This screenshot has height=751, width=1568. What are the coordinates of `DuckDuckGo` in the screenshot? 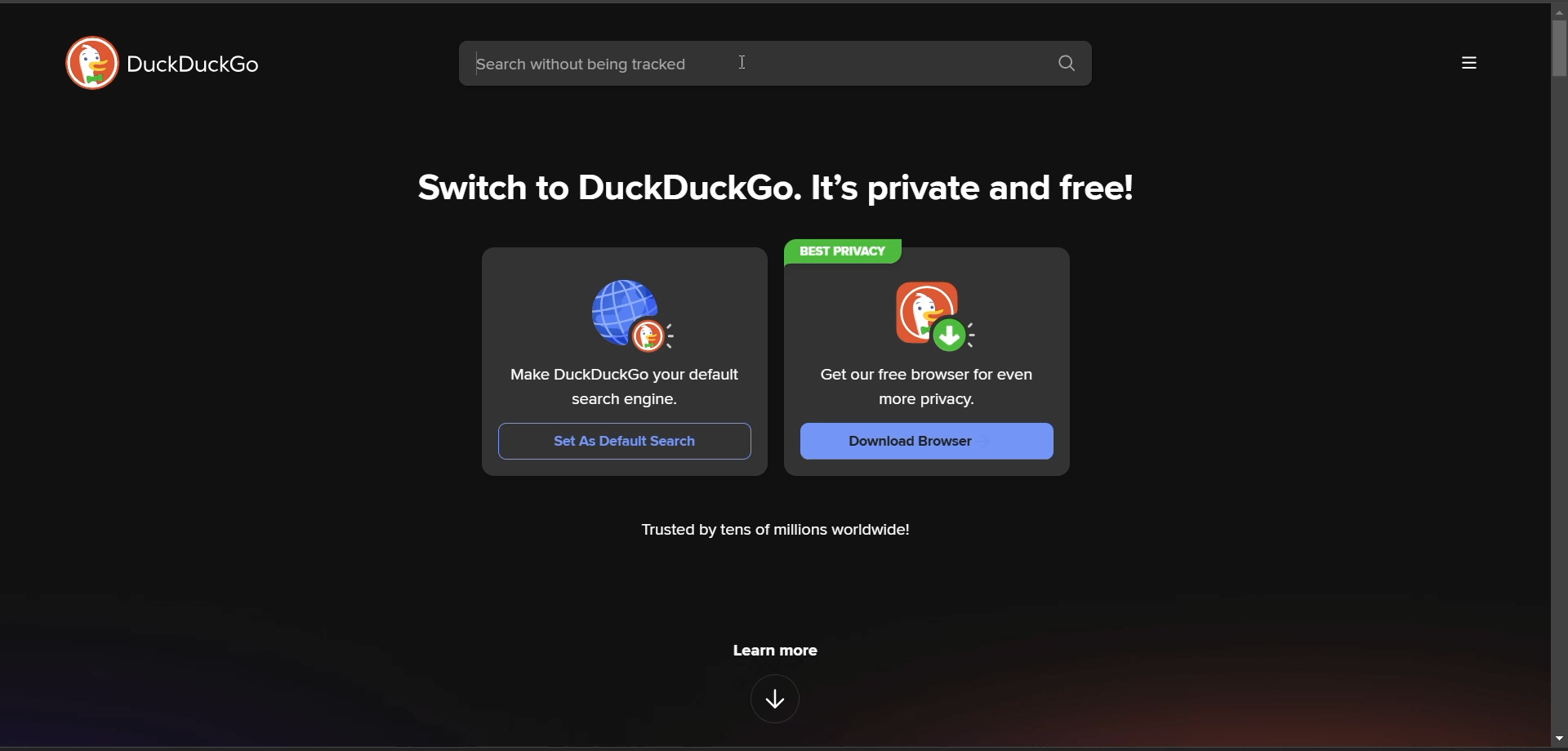 It's located at (192, 64).